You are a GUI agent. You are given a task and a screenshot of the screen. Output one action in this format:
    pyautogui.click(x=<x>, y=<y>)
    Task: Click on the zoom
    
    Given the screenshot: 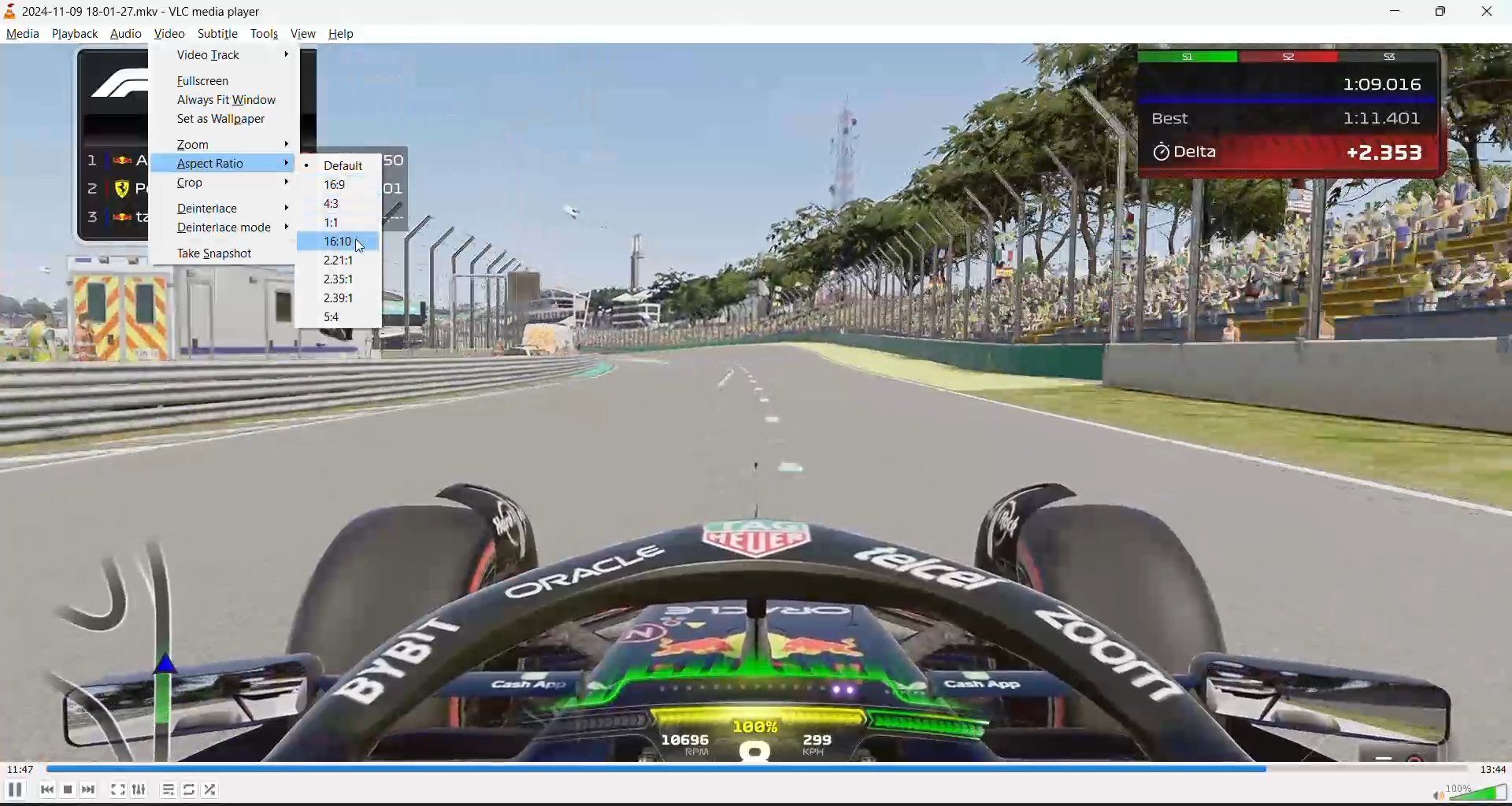 What is the action you would take?
    pyautogui.click(x=199, y=144)
    